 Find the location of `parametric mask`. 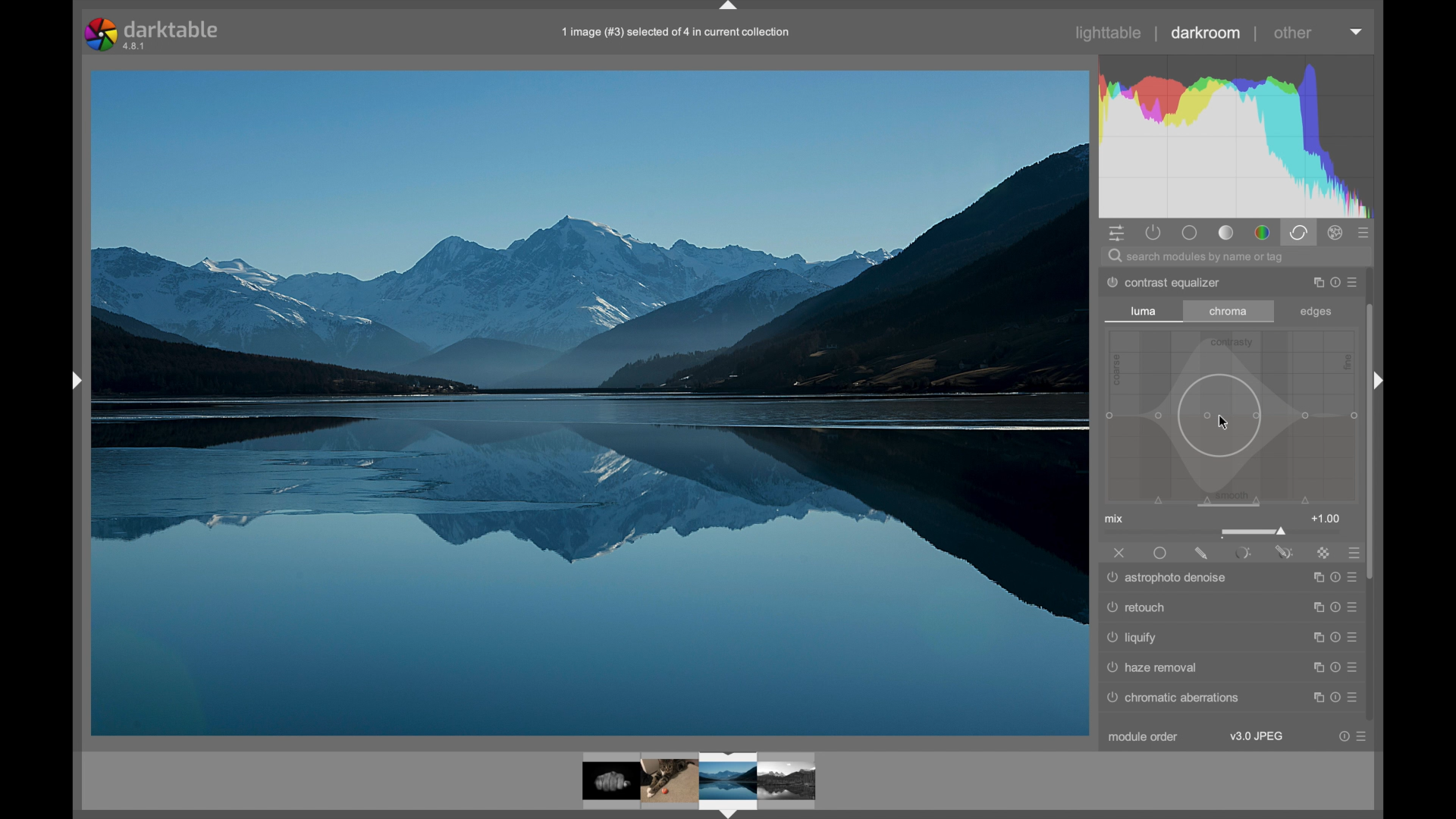

parametric mask is located at coordinates (1242, 553).